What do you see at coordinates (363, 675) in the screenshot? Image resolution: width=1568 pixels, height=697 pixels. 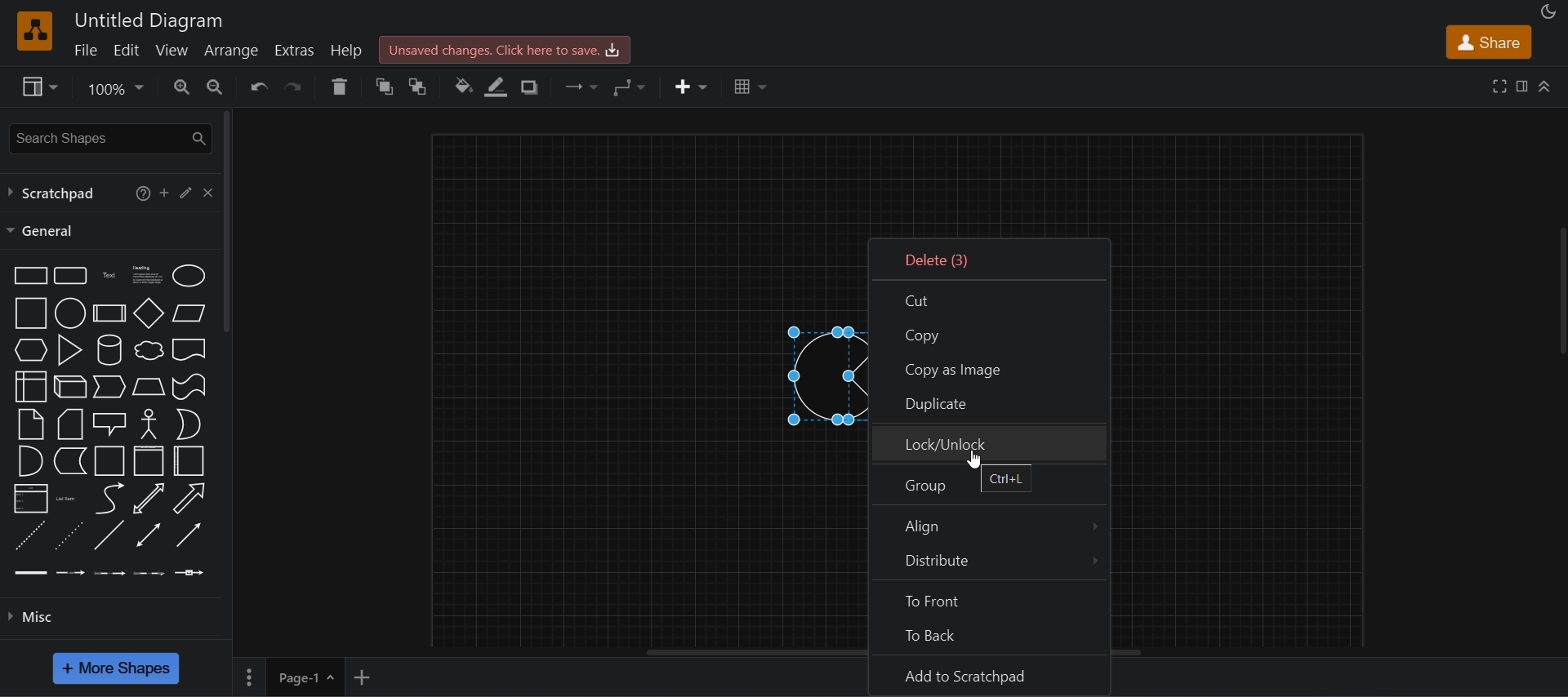 I see `add new page` at bounding box center [363, 675].